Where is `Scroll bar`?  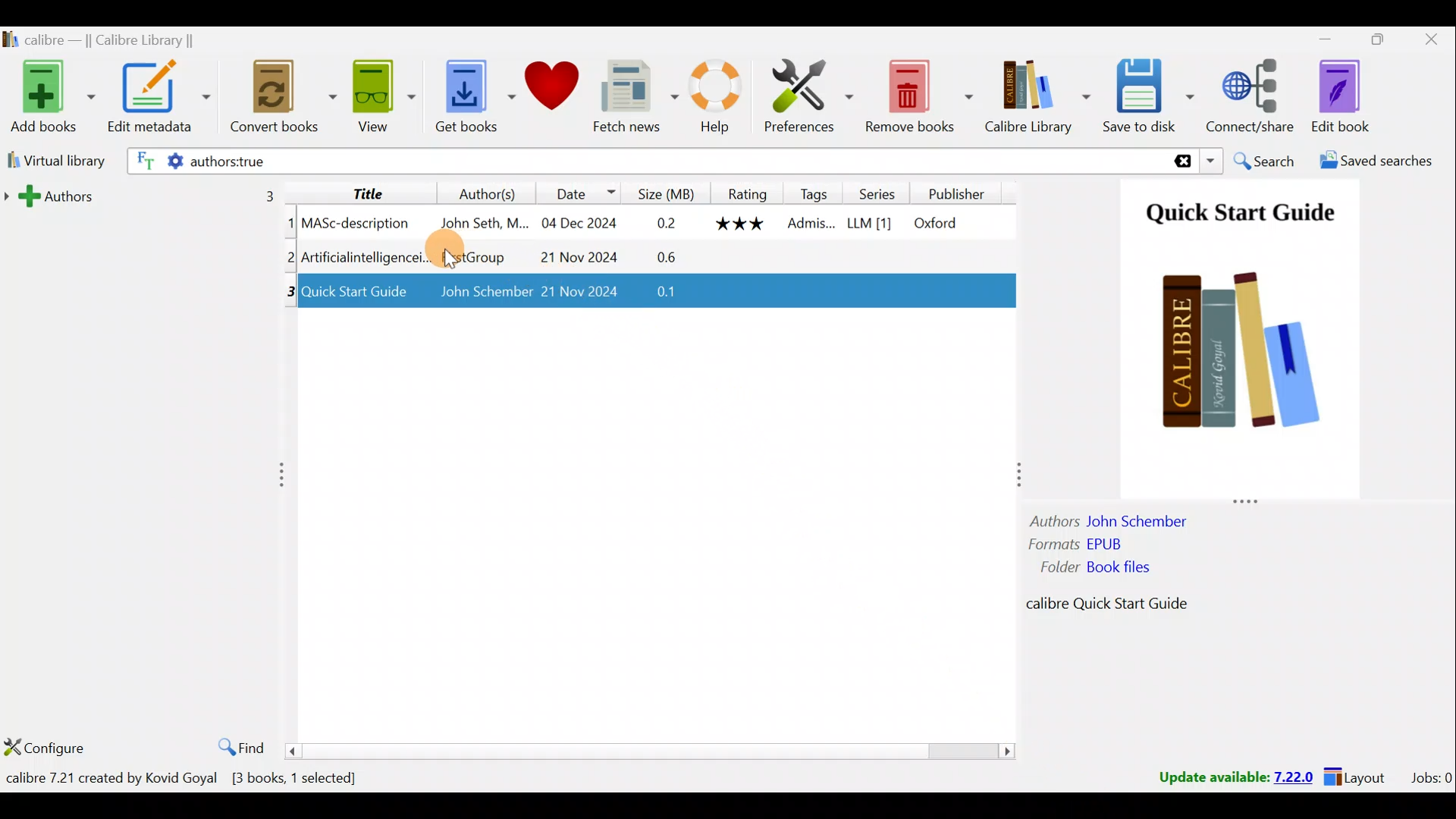
Scroll bar is located at coordinates (657, 750).